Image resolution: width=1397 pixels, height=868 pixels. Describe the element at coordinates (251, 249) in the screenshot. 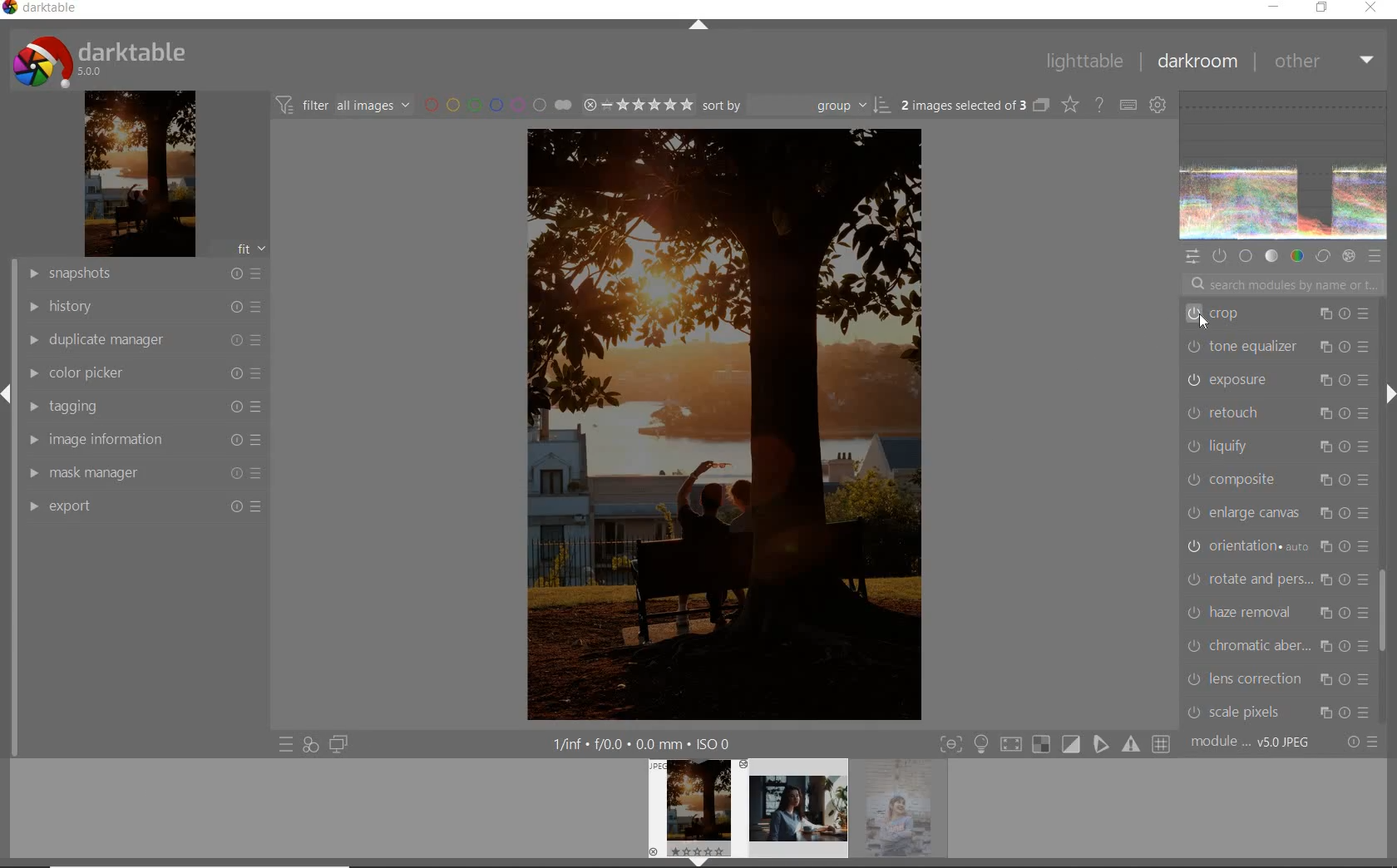

I see `fit` at that location.